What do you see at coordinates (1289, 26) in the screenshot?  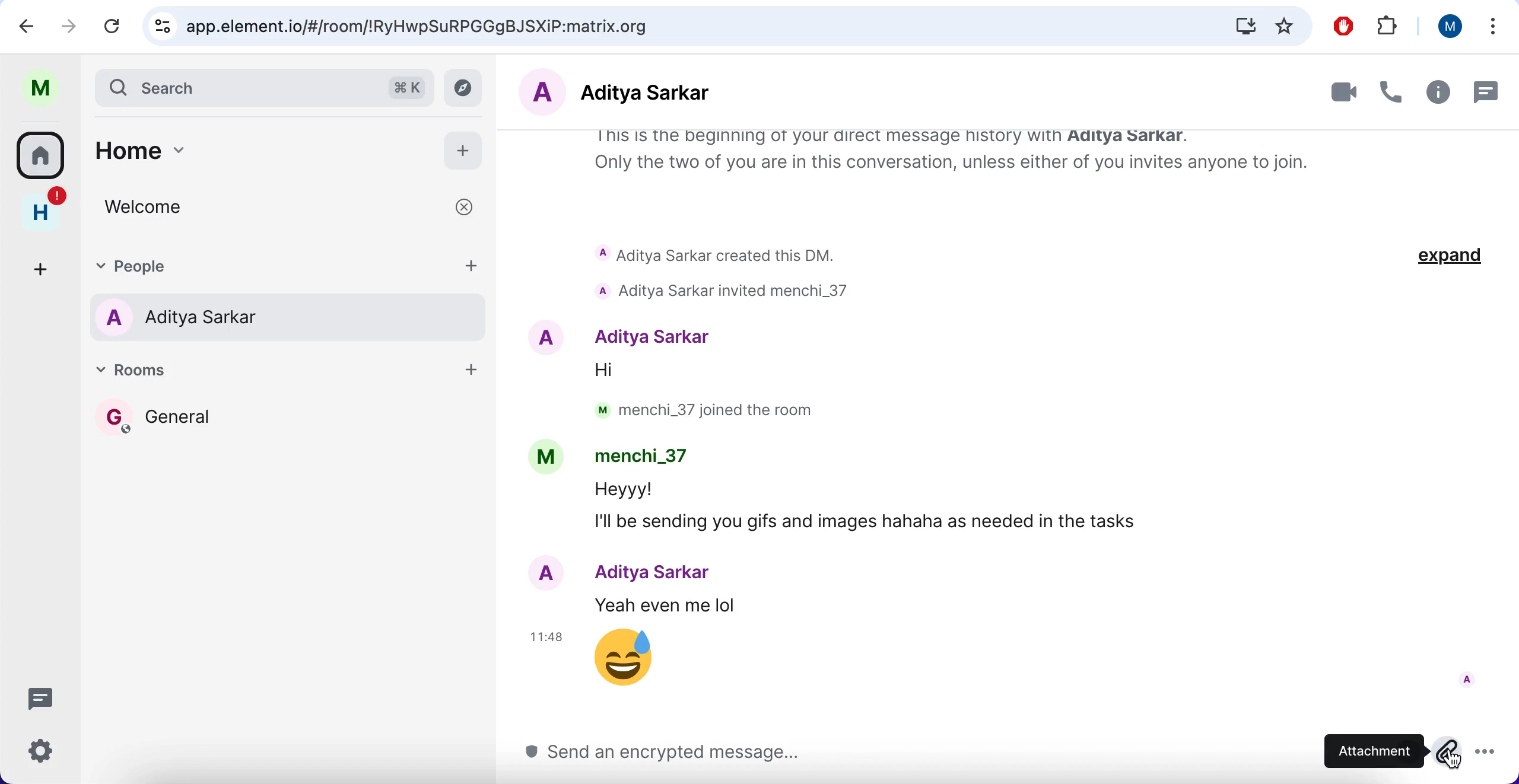 I see `favorites` at bounding box center [1289, 26].